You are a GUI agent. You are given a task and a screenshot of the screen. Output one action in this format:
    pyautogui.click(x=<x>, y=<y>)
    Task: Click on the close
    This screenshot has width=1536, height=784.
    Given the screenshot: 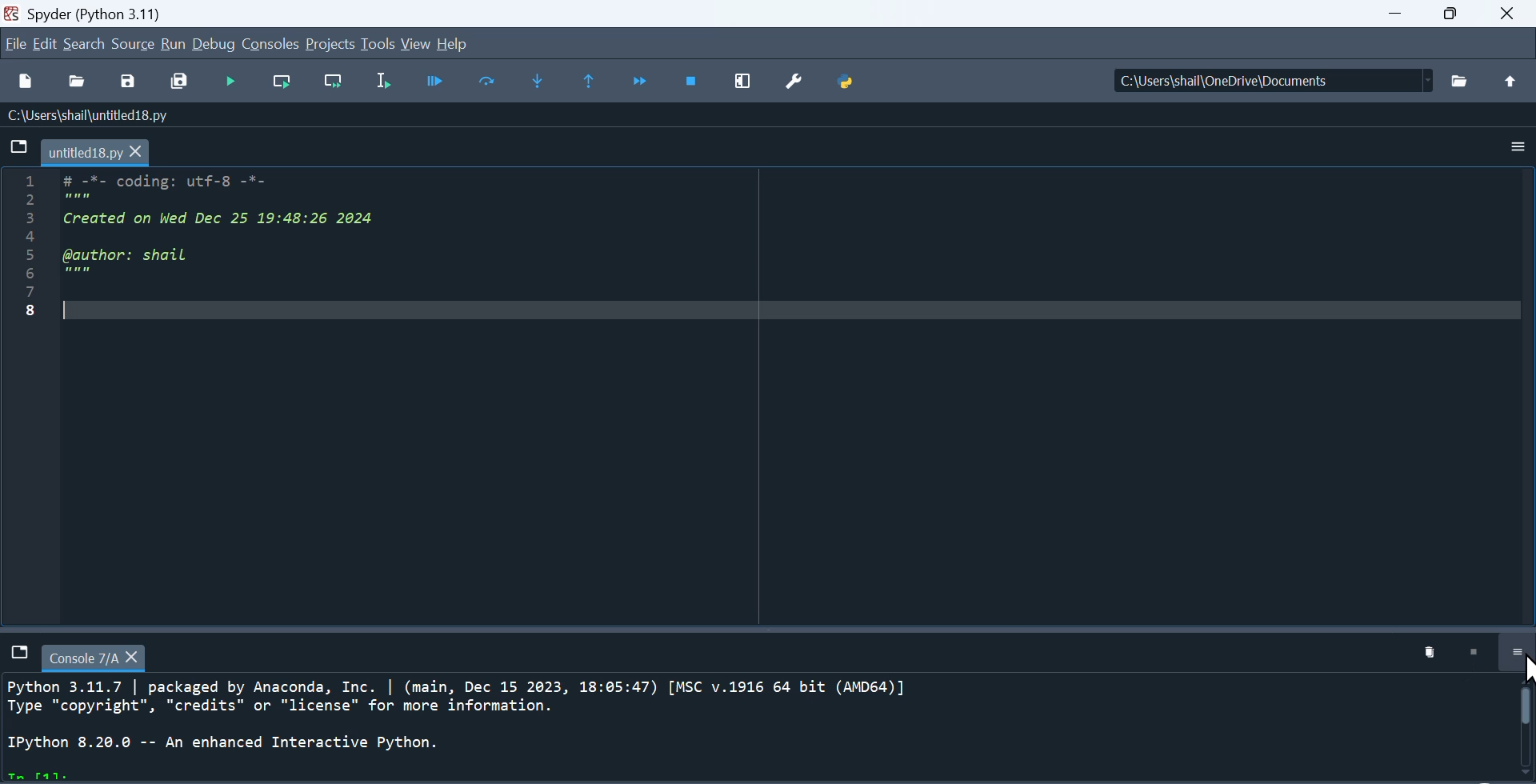 What is the action you would take?
    pyautogui.click(x=1509, y=14)
    